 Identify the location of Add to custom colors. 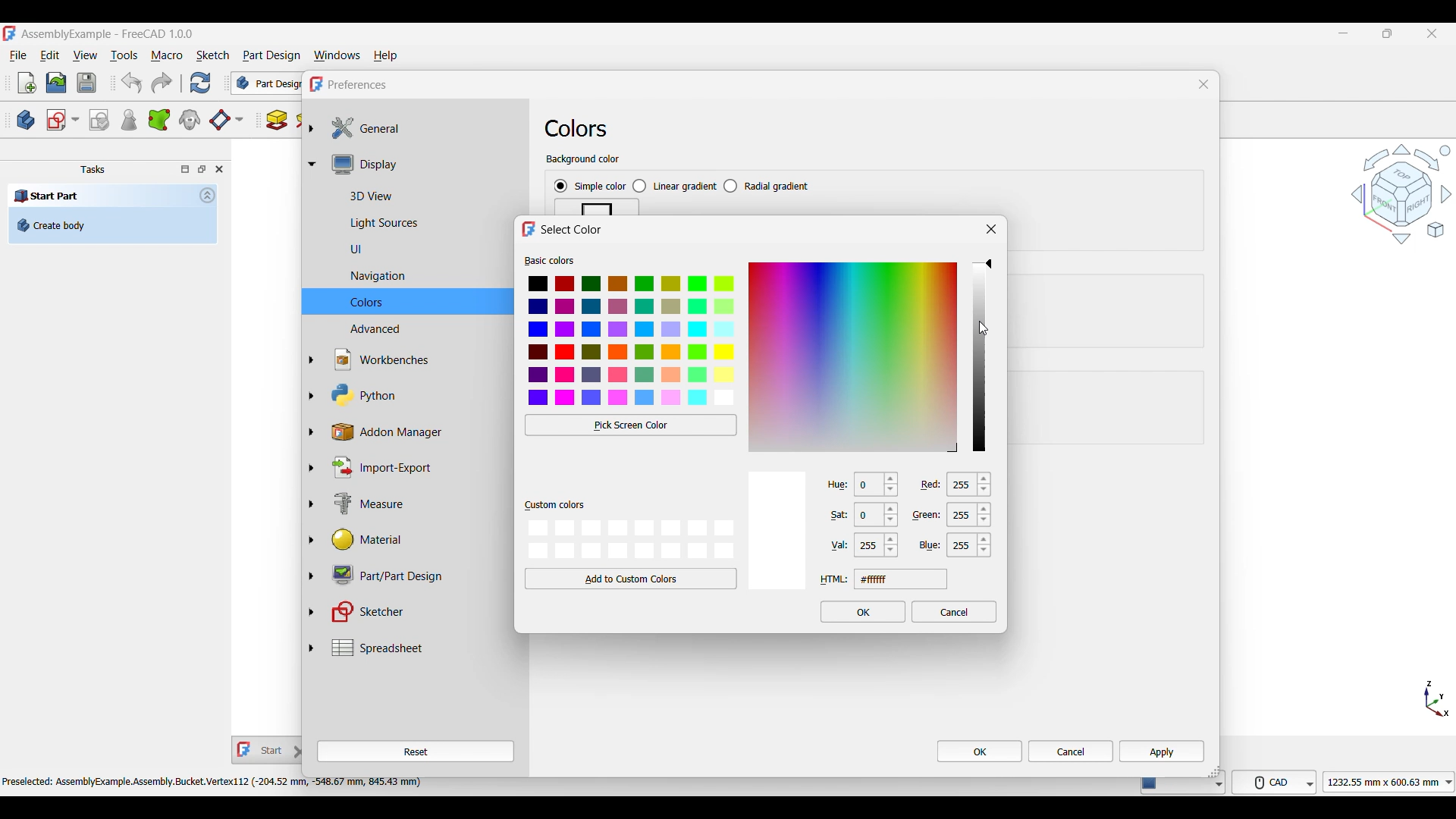
(631, 579).